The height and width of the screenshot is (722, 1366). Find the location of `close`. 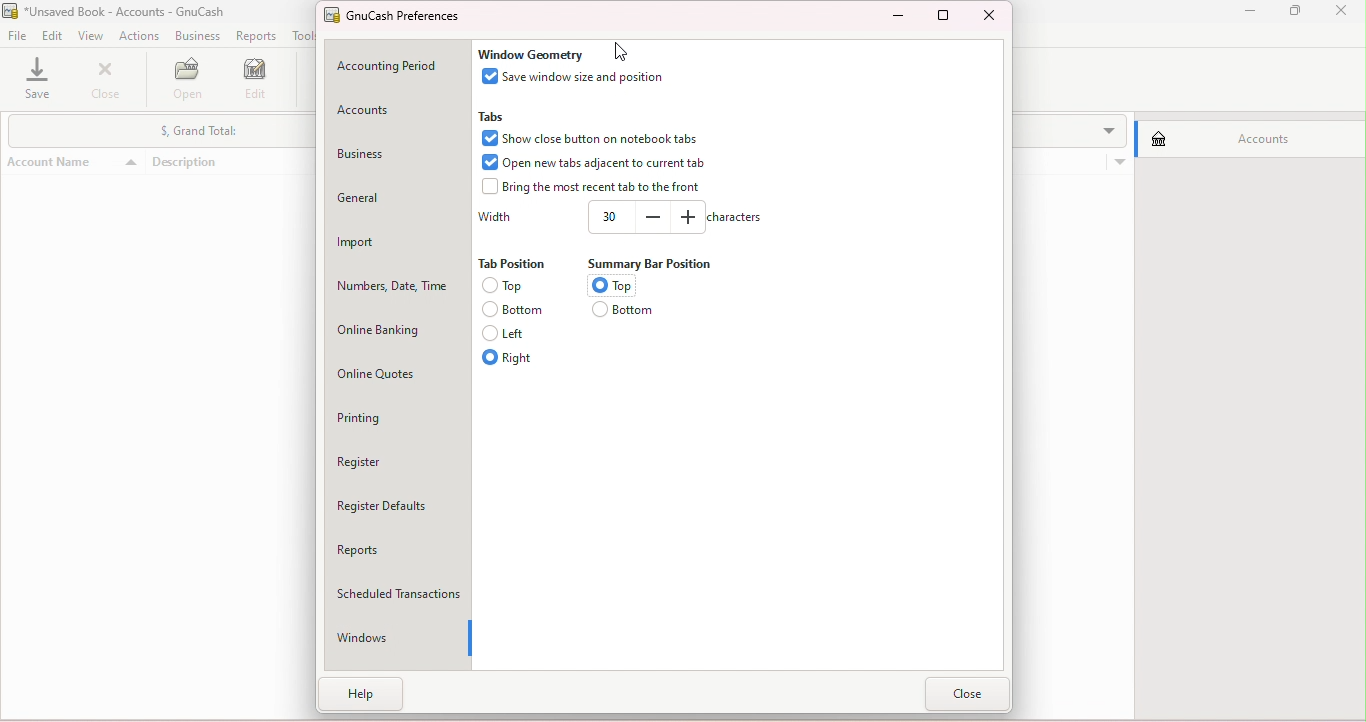

close is located at coordinates (1346, 13).